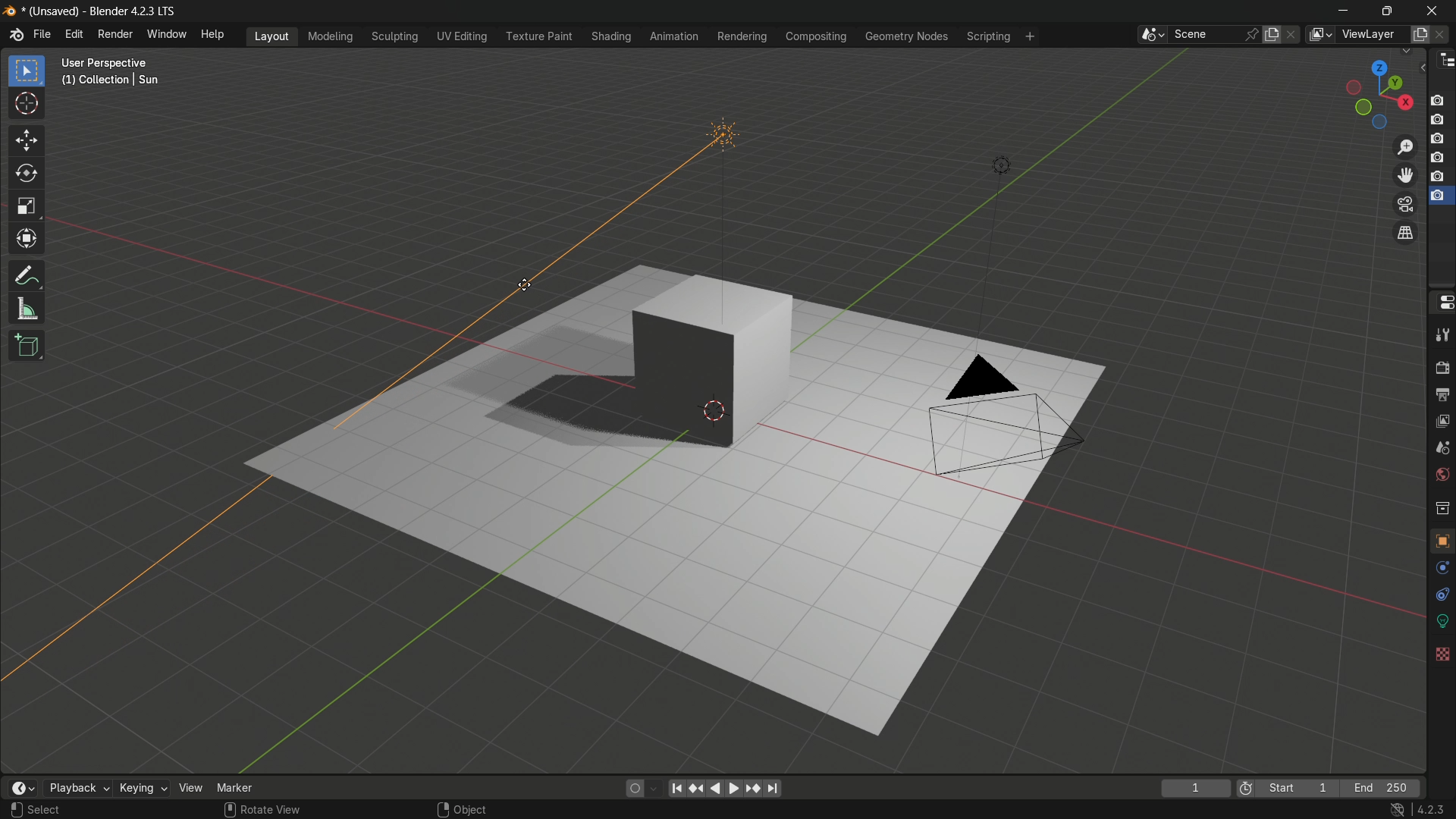 Image resolution: width=1456 pixels, height=819 pixels. Describe the element at coordinates (1436, 9) in the screenshot. I see `close app` at that location.